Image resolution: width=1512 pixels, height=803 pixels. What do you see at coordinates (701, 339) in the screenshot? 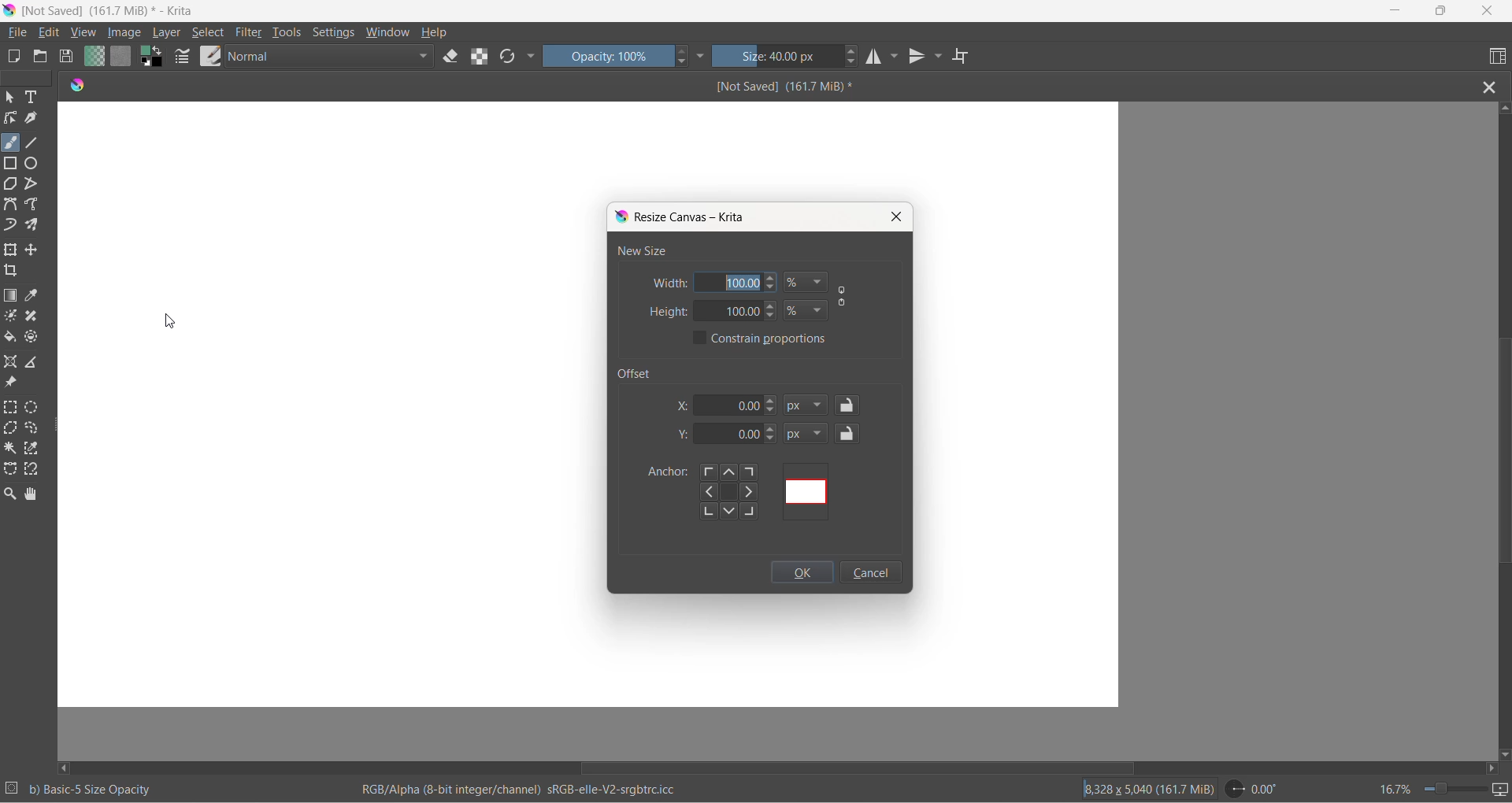
I see `constant proportions checkbox` at bounding box center [701, 339].